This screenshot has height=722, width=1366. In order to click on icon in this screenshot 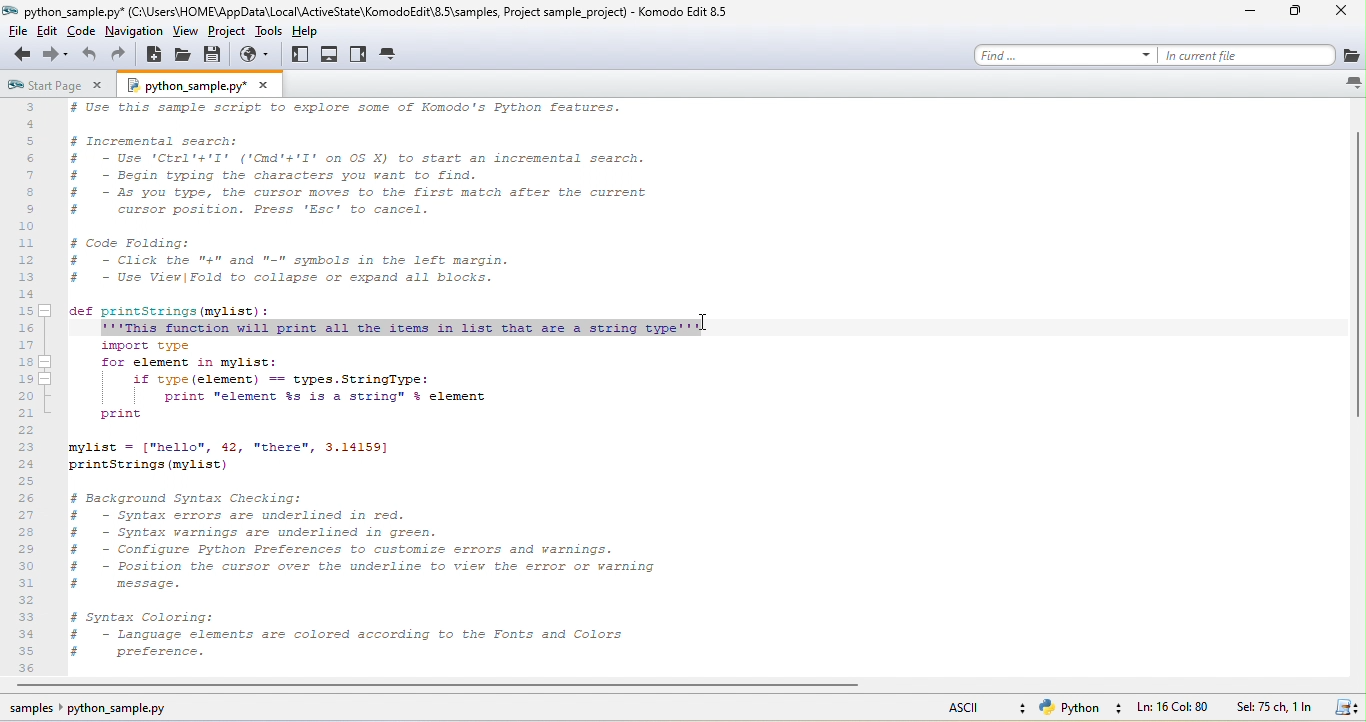, I will do `click(1351, 82)`.